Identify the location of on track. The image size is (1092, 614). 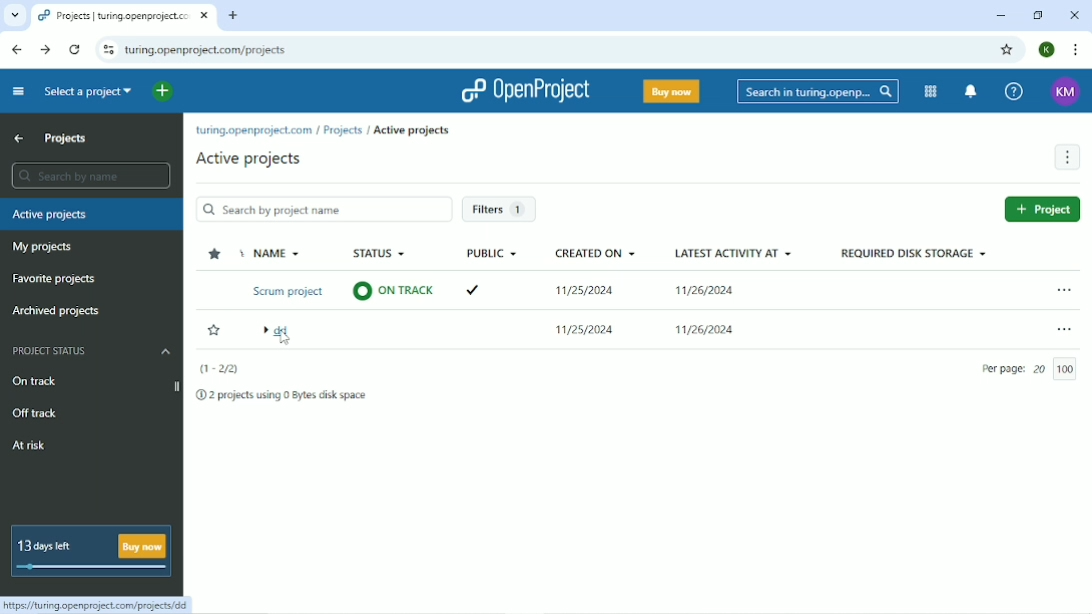
(399, 289).